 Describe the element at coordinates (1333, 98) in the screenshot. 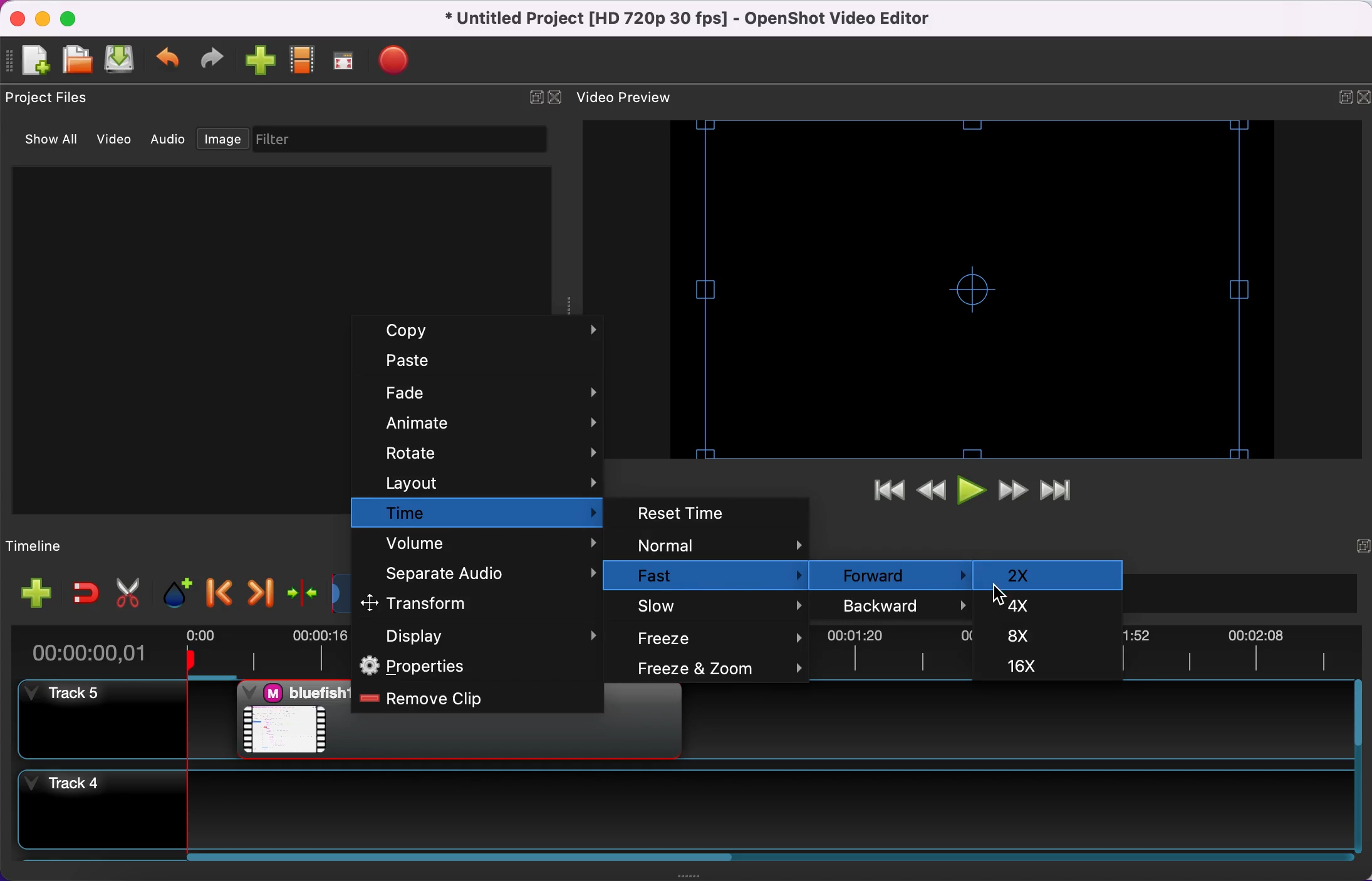

I see `expand/hide` at that location.